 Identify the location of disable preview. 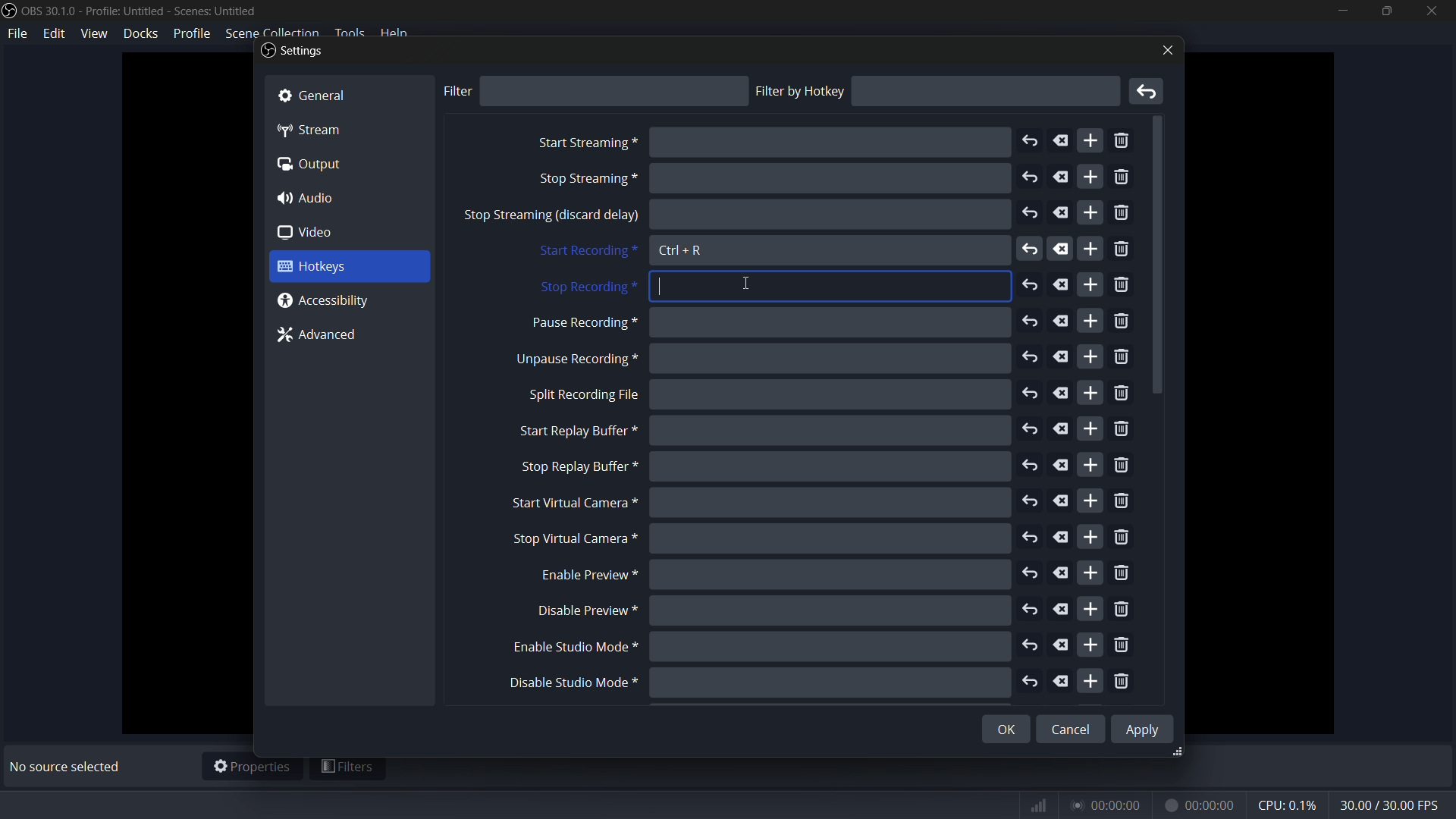
(588, 610).